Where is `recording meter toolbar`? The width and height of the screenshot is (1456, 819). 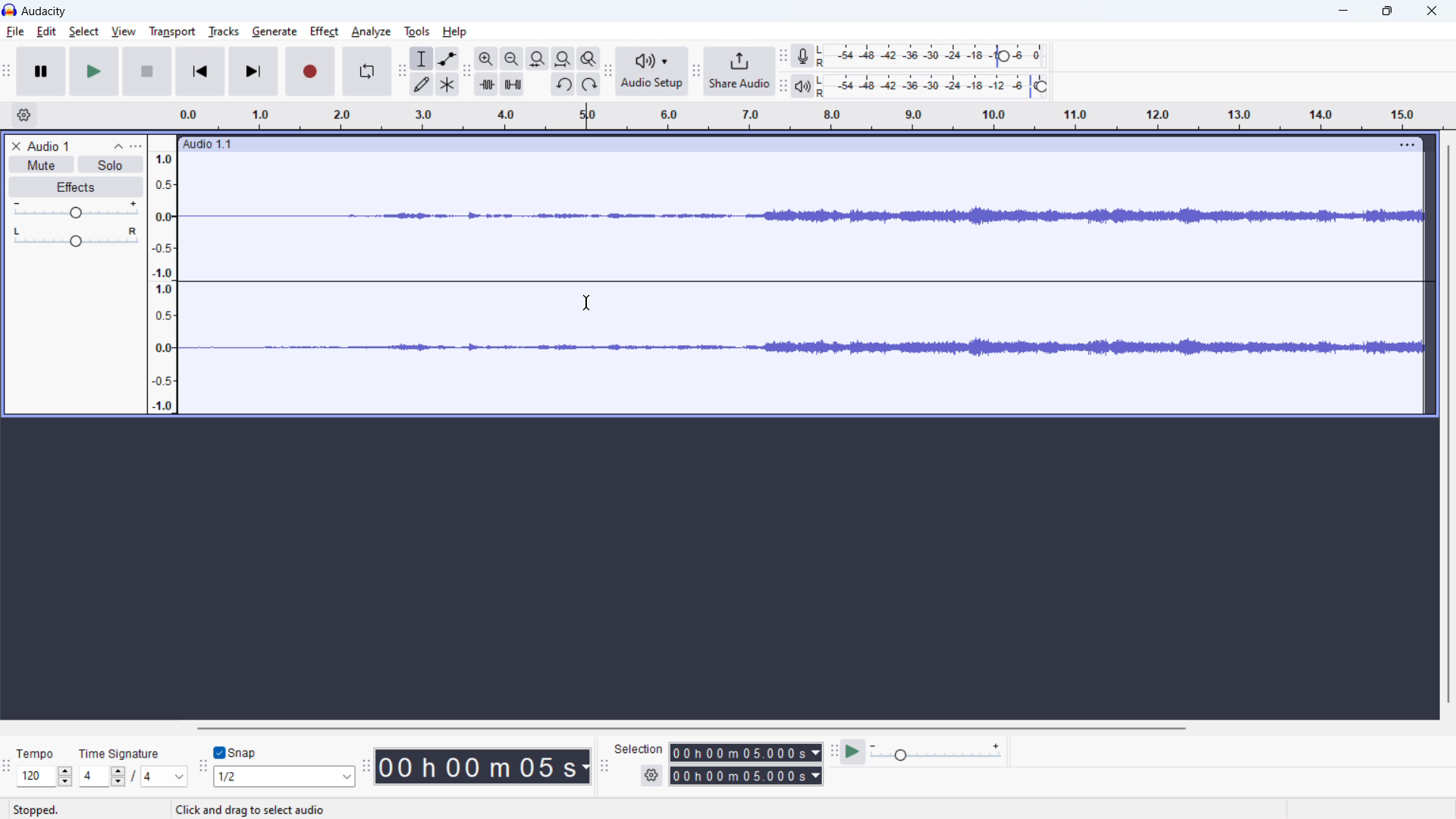 recording meter toolbar is located at coordinates (782, 87).